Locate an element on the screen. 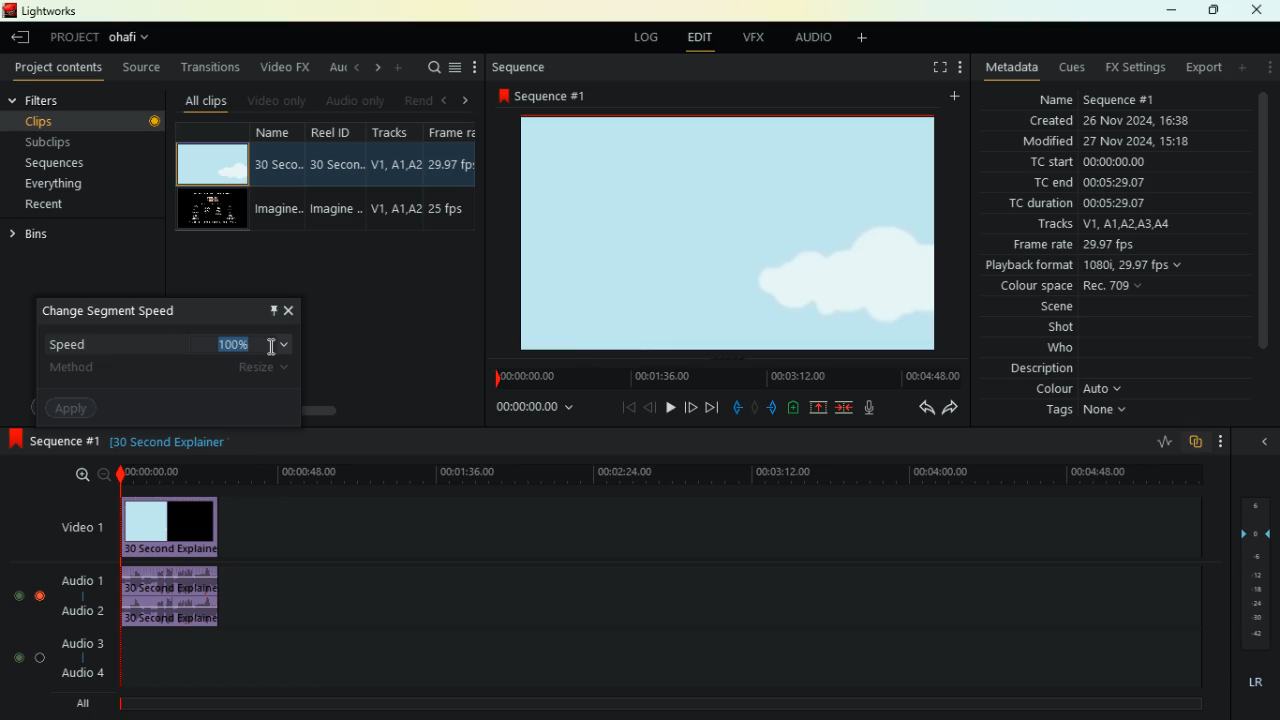  button is located at coordinates (152, 122).